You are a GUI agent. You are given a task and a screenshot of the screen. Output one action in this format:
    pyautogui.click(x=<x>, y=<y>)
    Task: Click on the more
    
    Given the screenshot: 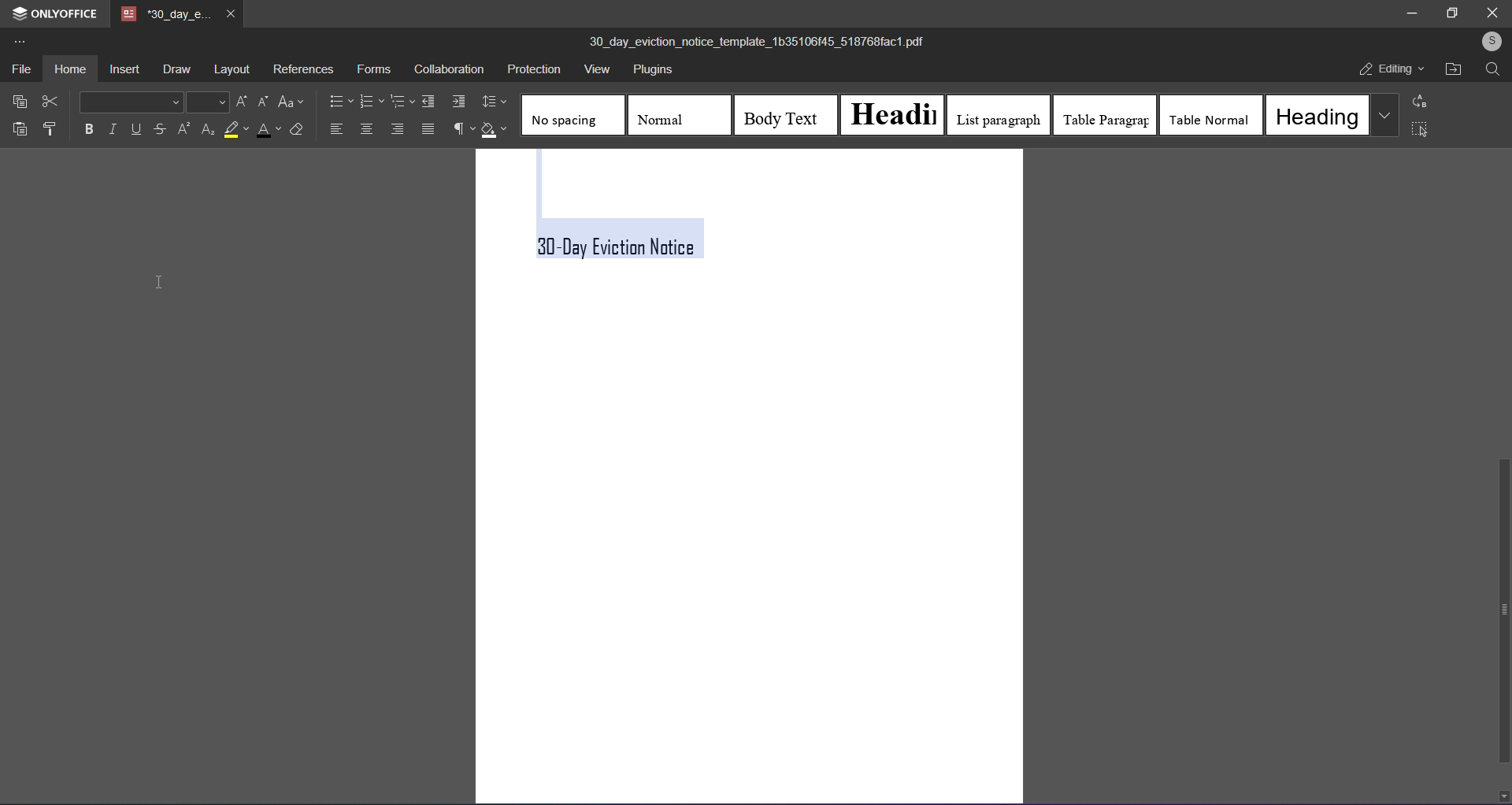 What is the action you would take?
    pyautogui.click(x=20, y=39)
    